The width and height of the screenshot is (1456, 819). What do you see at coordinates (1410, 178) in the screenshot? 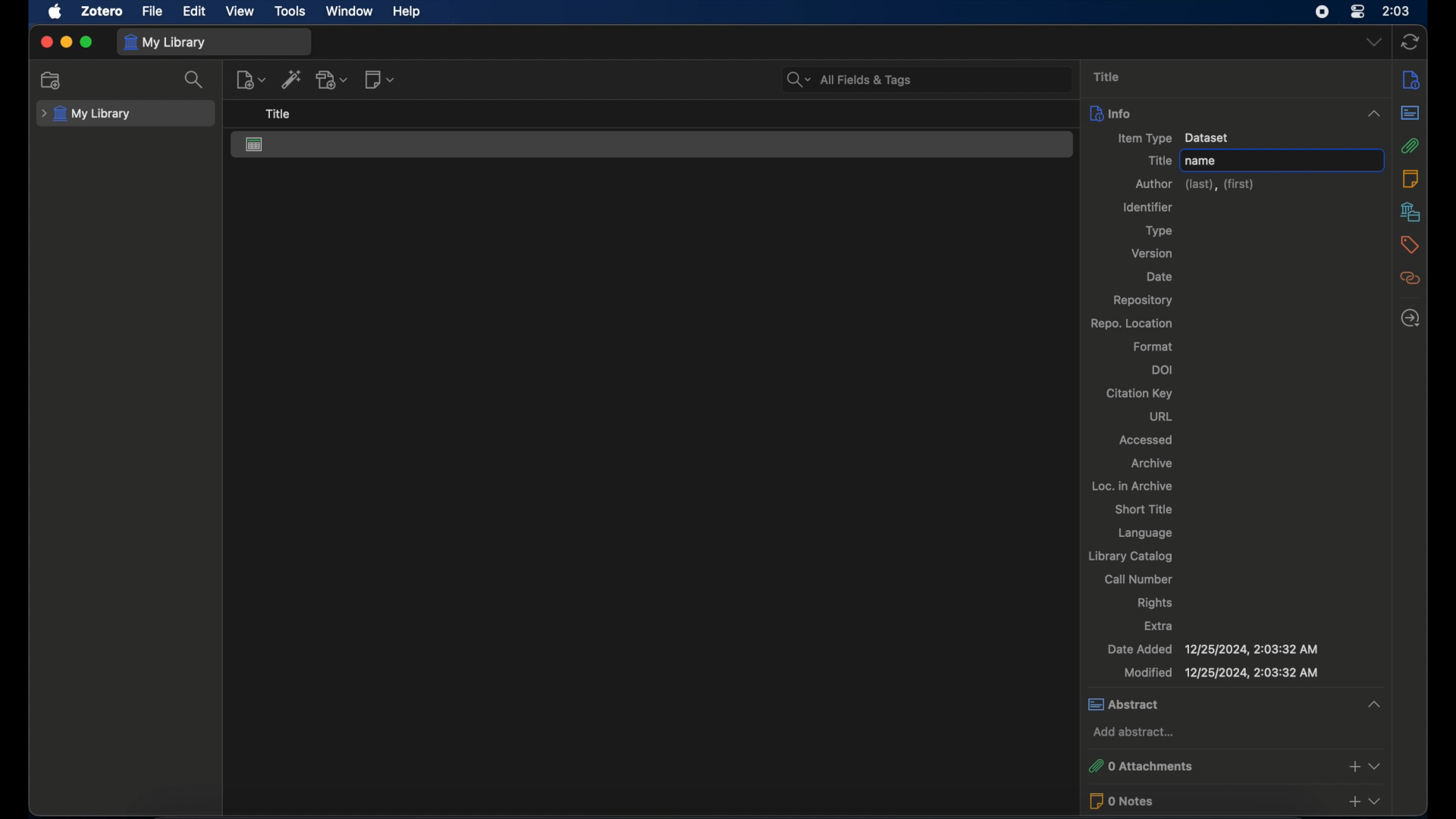
I see `notes` at bounding box center [1410, 178].